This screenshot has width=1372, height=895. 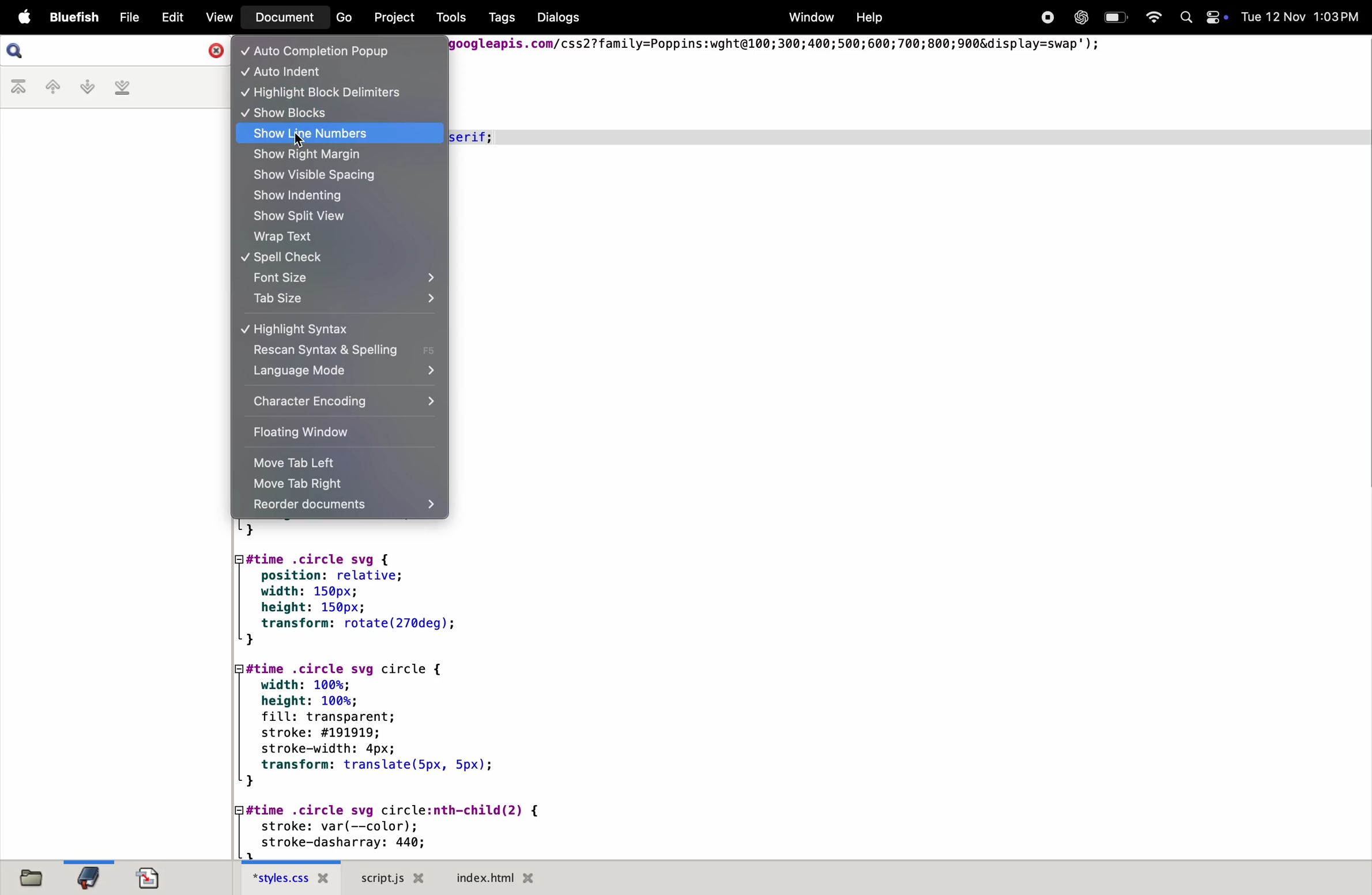 I want to click on Battery, so click(x=1118, y=16).